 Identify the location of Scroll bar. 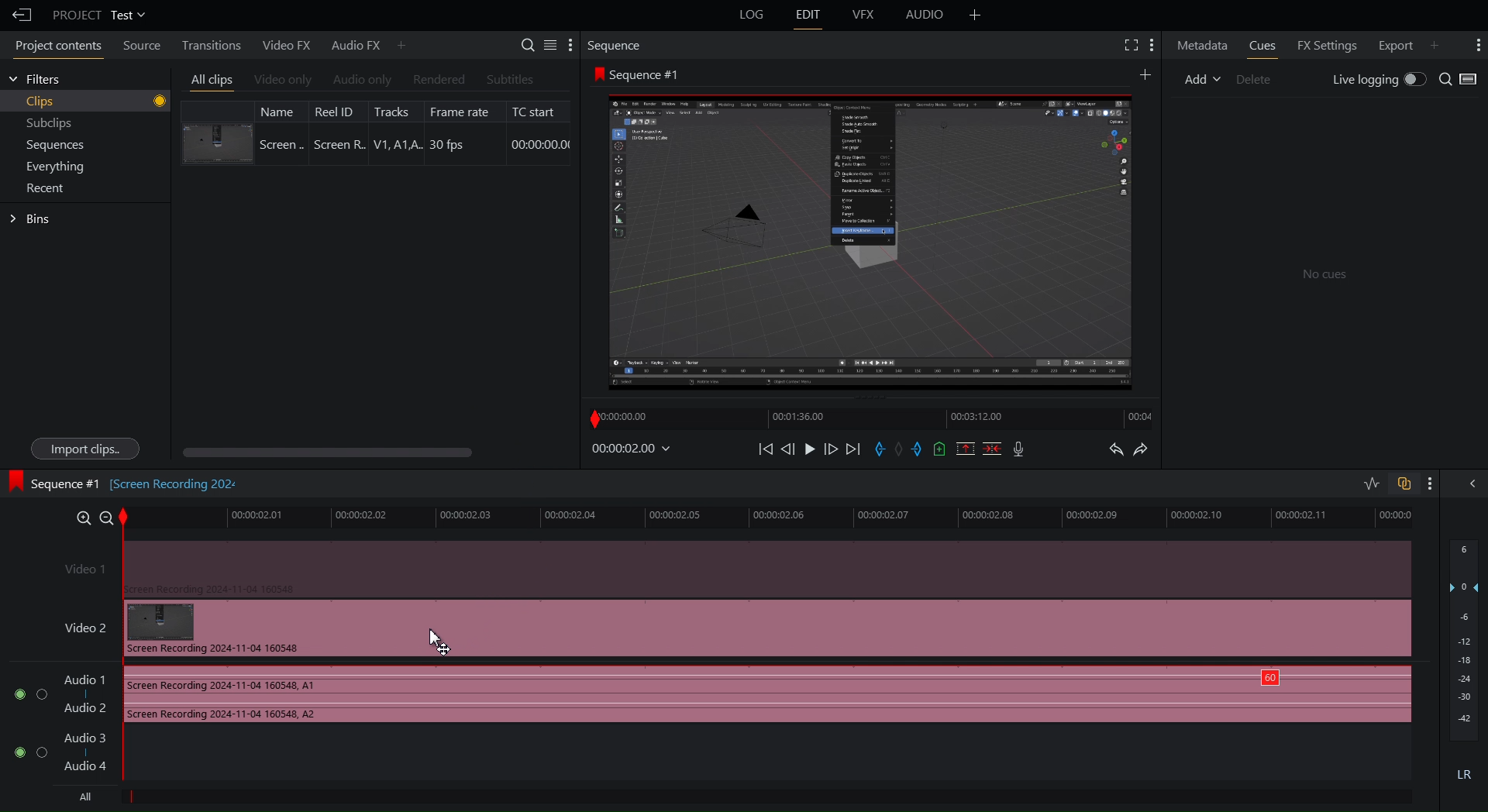
(354, 452).